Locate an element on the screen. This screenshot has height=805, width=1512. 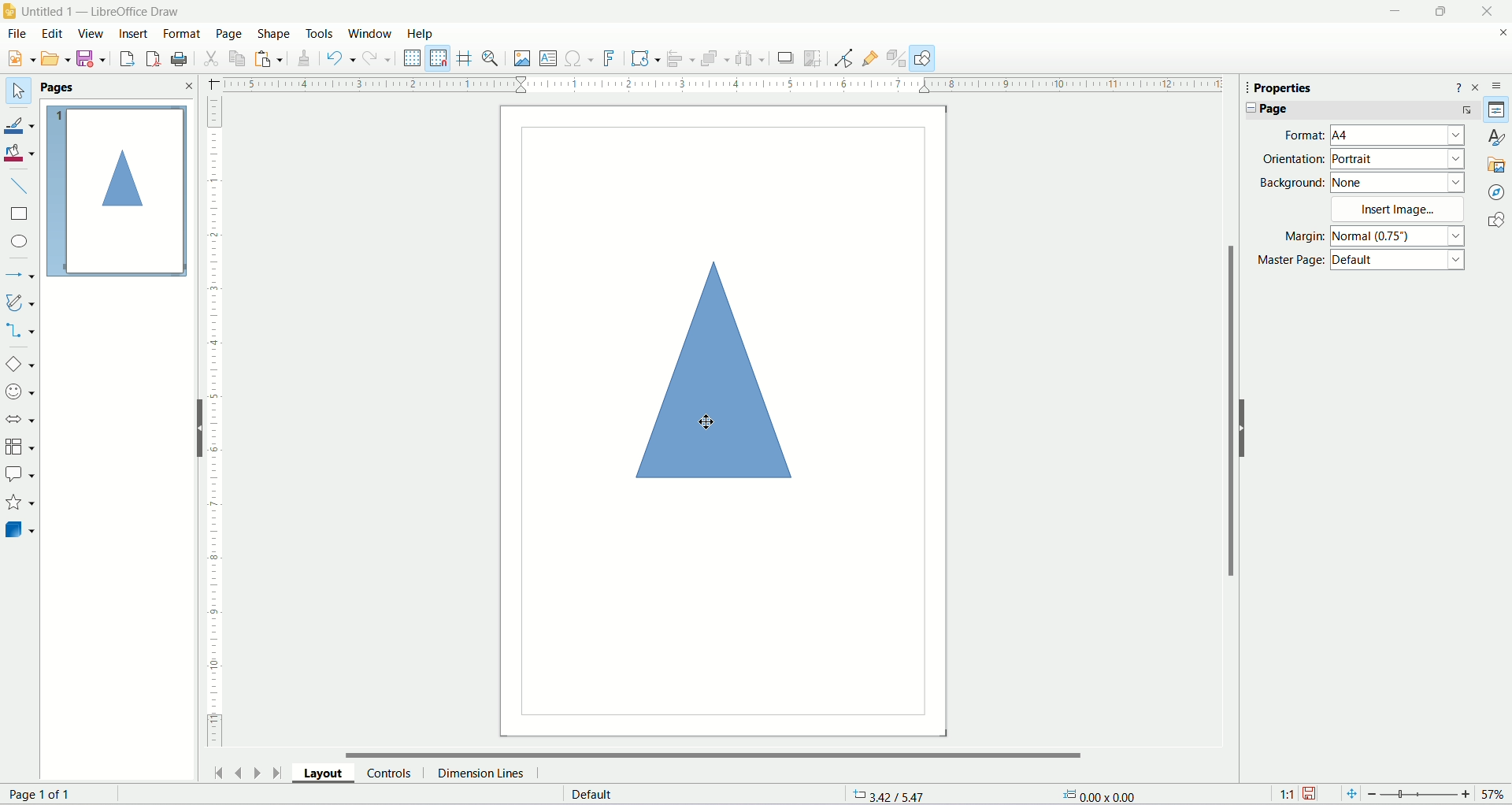
Master Page is located at coordinates (1288, 261).